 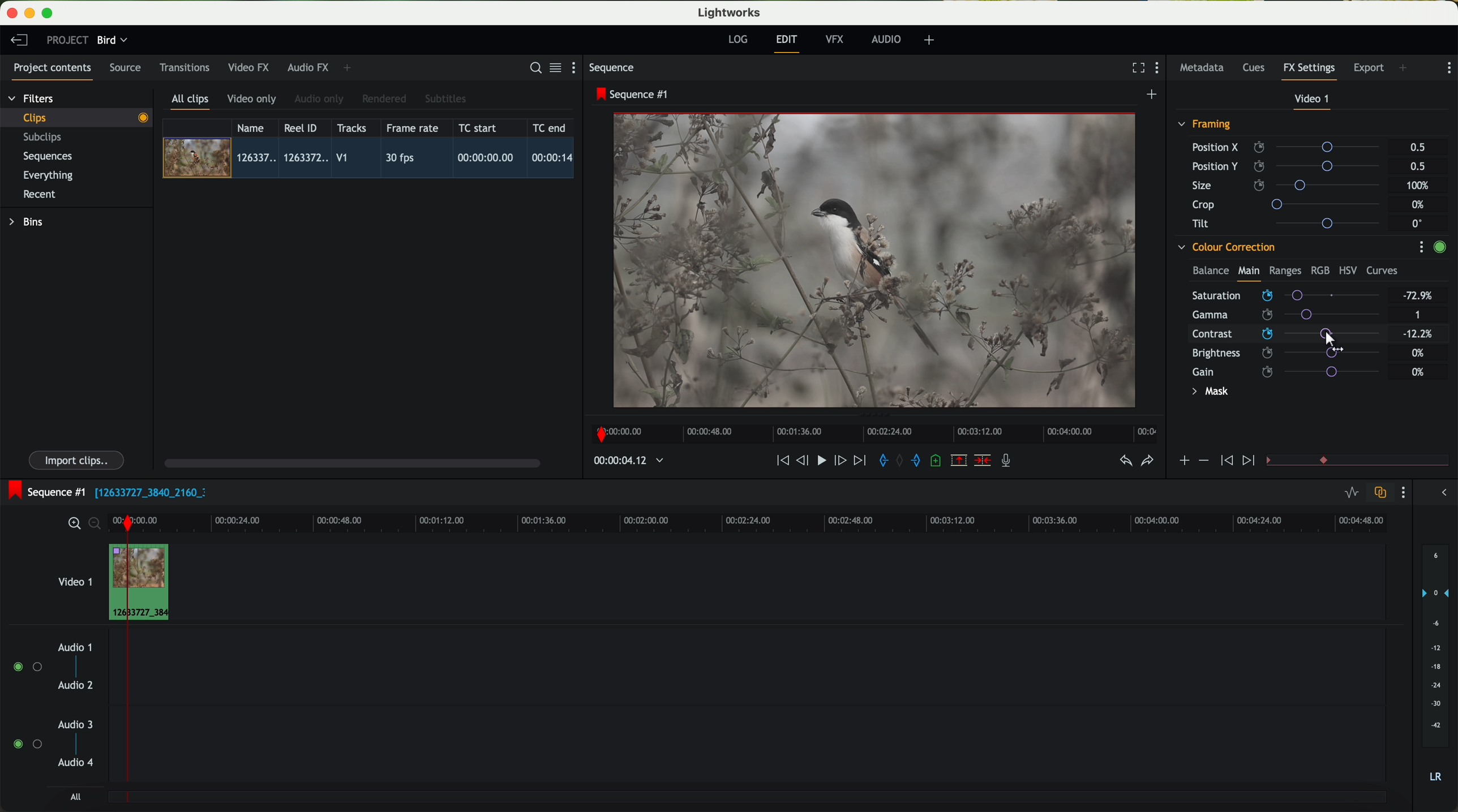 What do you see at coordinates (350, 68) in the screenshot?
I see `add panel` at bounding box center [350, 68].